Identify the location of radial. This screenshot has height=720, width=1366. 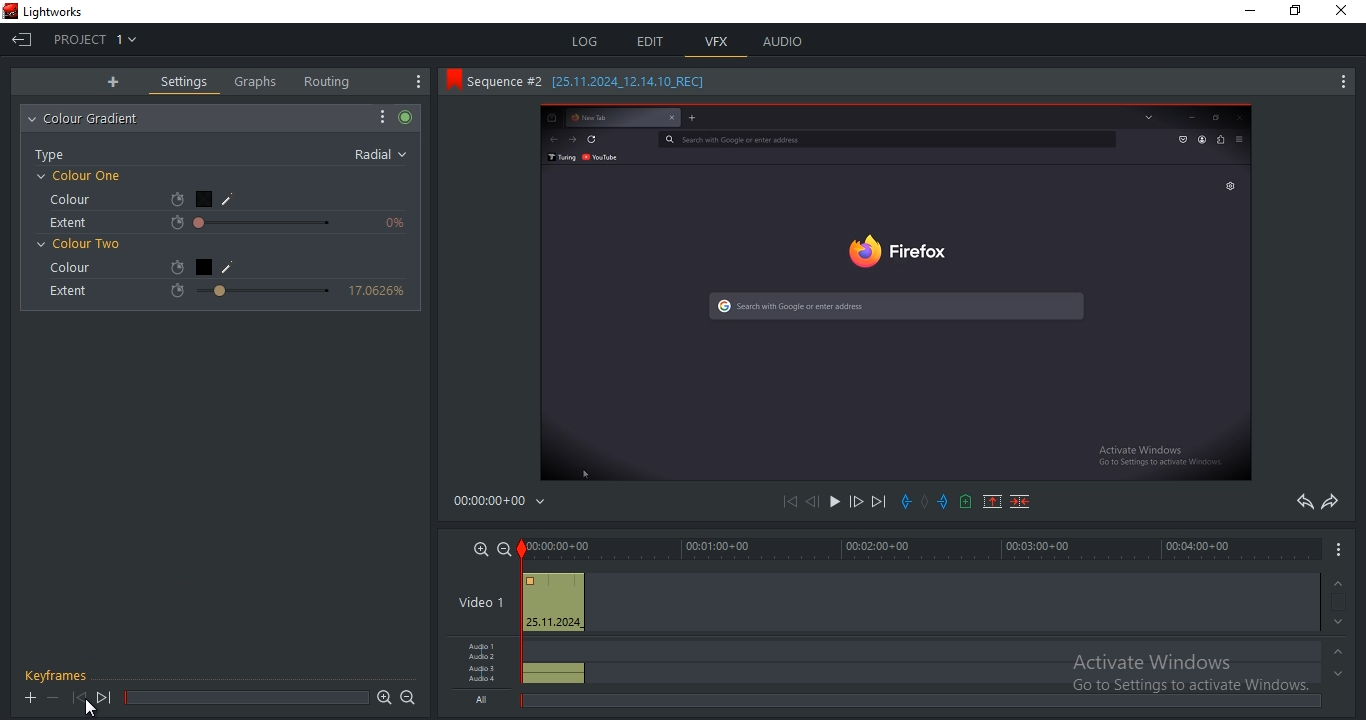
(383, 153).